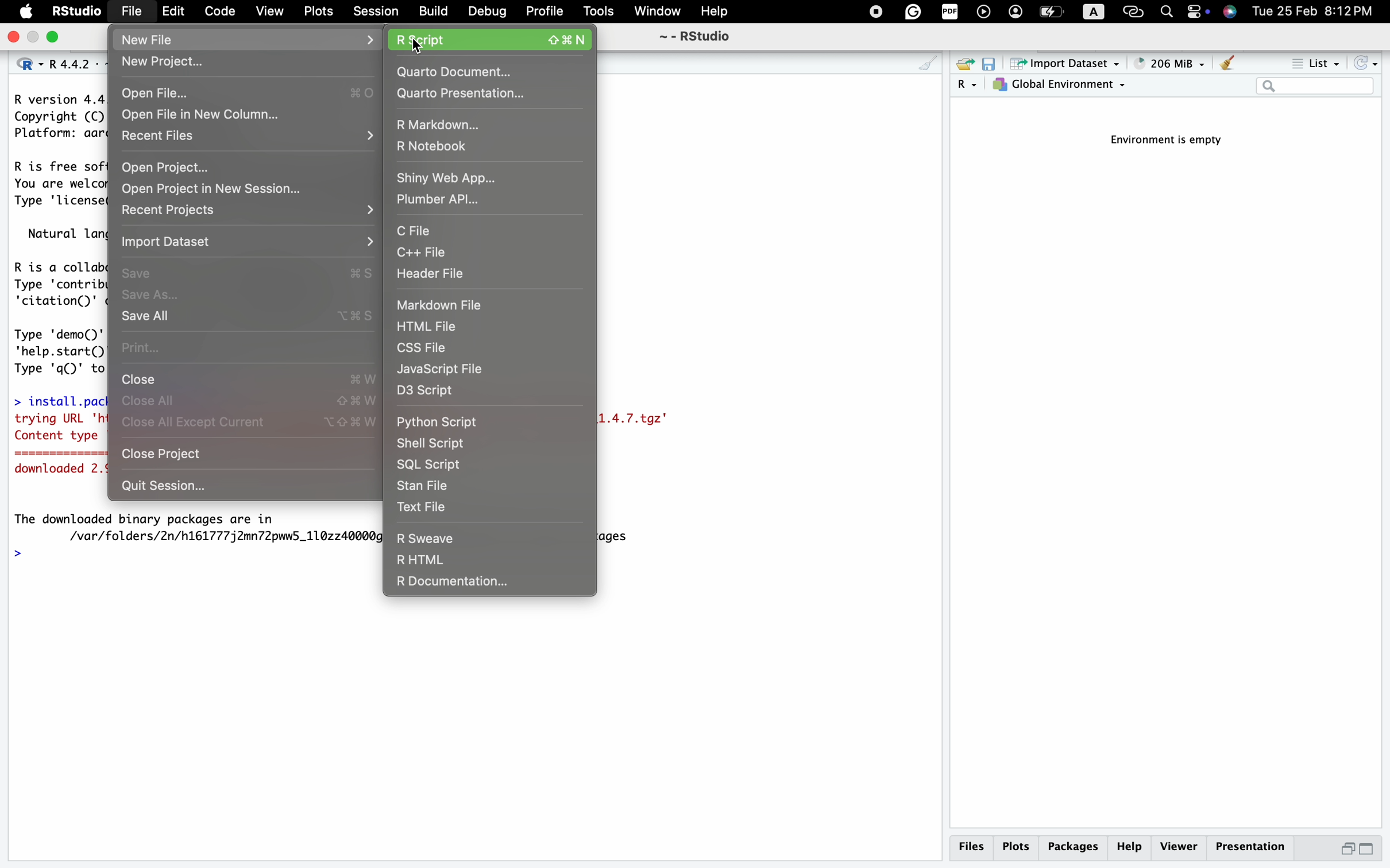 The width and height of the screenshot is (1390, 868). I want to click on C++ file, so click(486, 253).